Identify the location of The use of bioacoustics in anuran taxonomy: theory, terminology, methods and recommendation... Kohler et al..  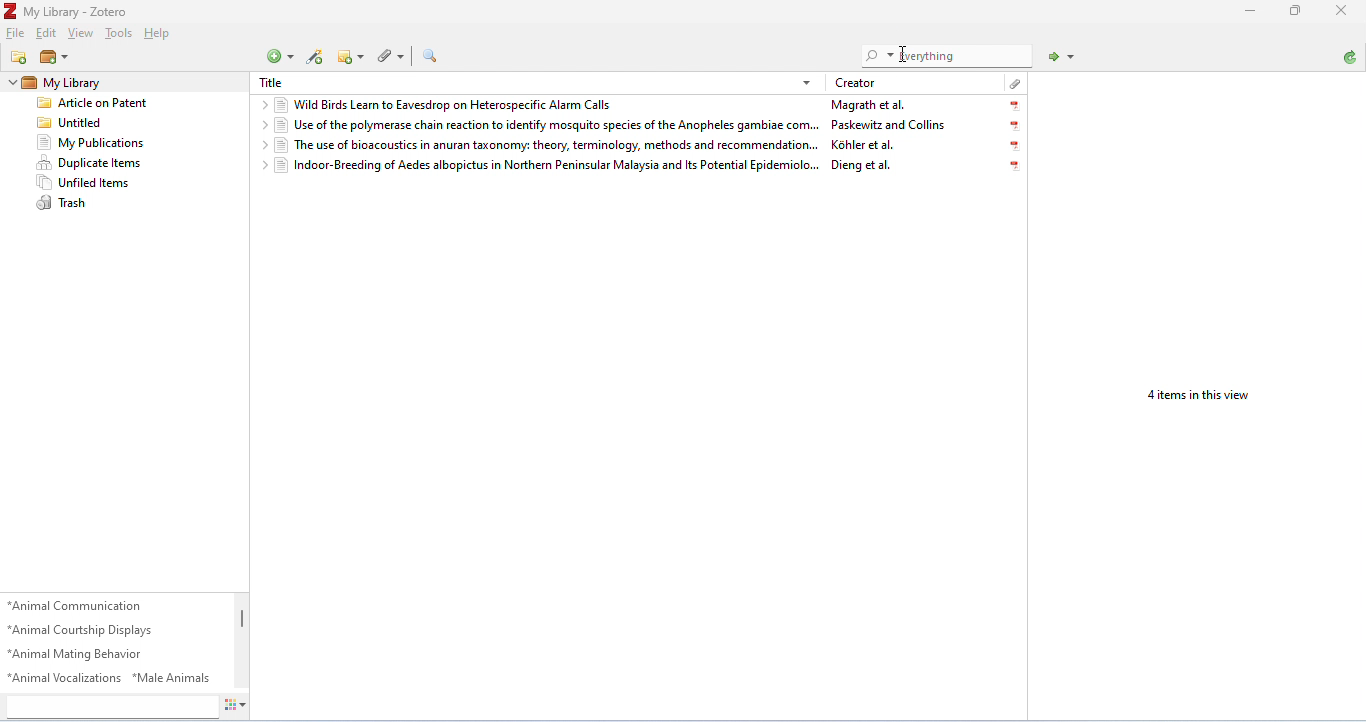
(640, 146).